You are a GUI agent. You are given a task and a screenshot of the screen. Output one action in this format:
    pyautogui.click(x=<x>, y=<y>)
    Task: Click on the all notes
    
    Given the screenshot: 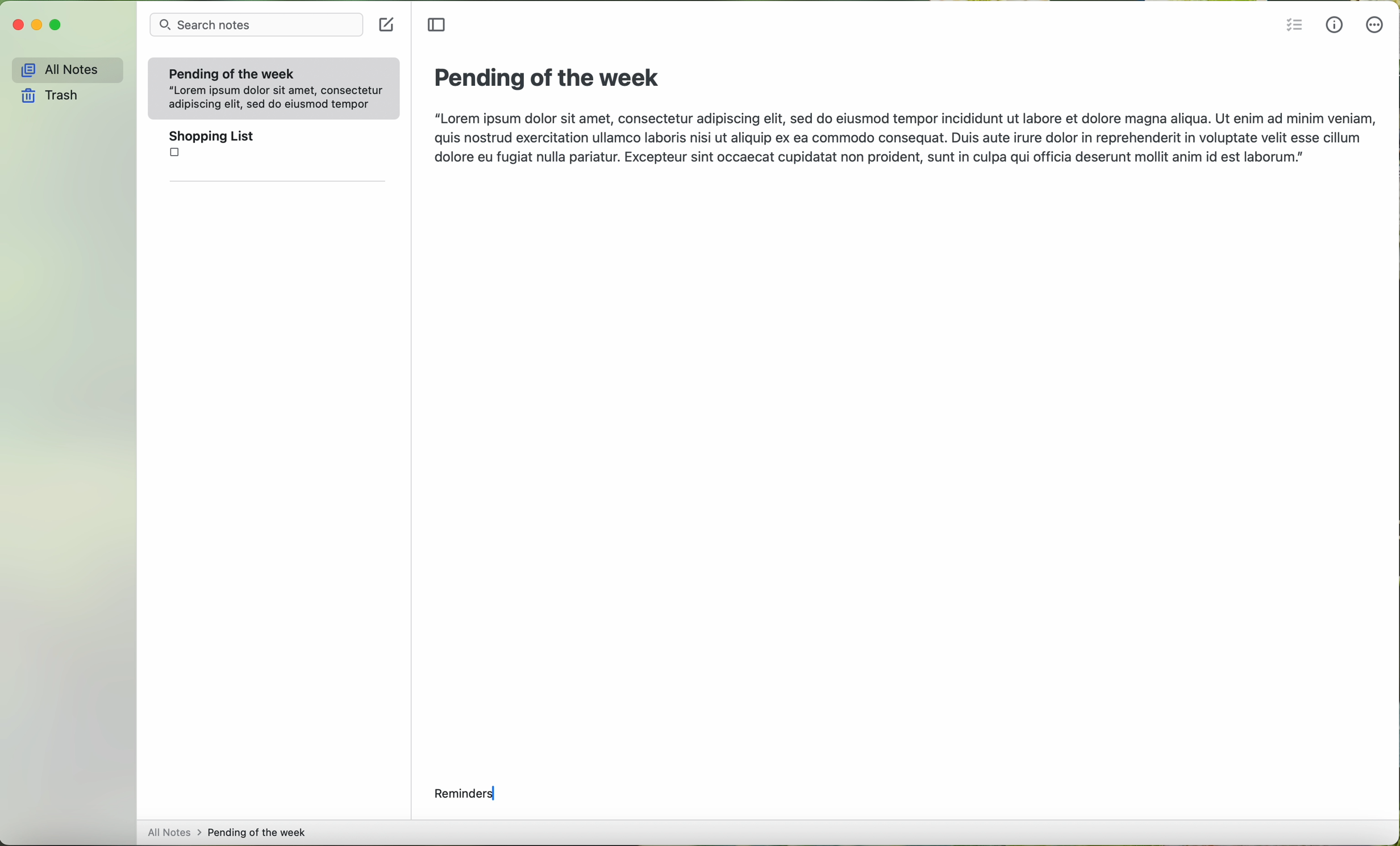 What is the action you would take?
    pyautogui.click(x=64, y=69)
    